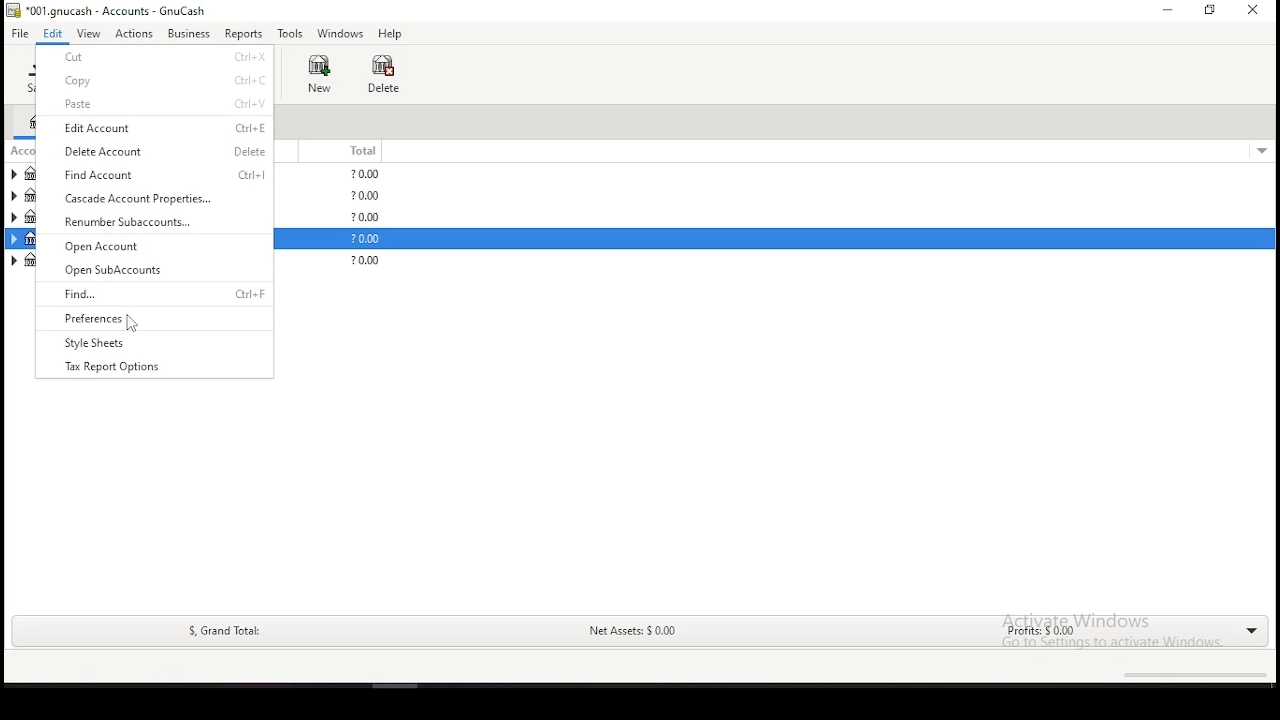 This screenshot has width=1280, height=720. What do you see at coordinates (319, 73) in the screenshot?
I see `new` at bounding box center [319, 73].